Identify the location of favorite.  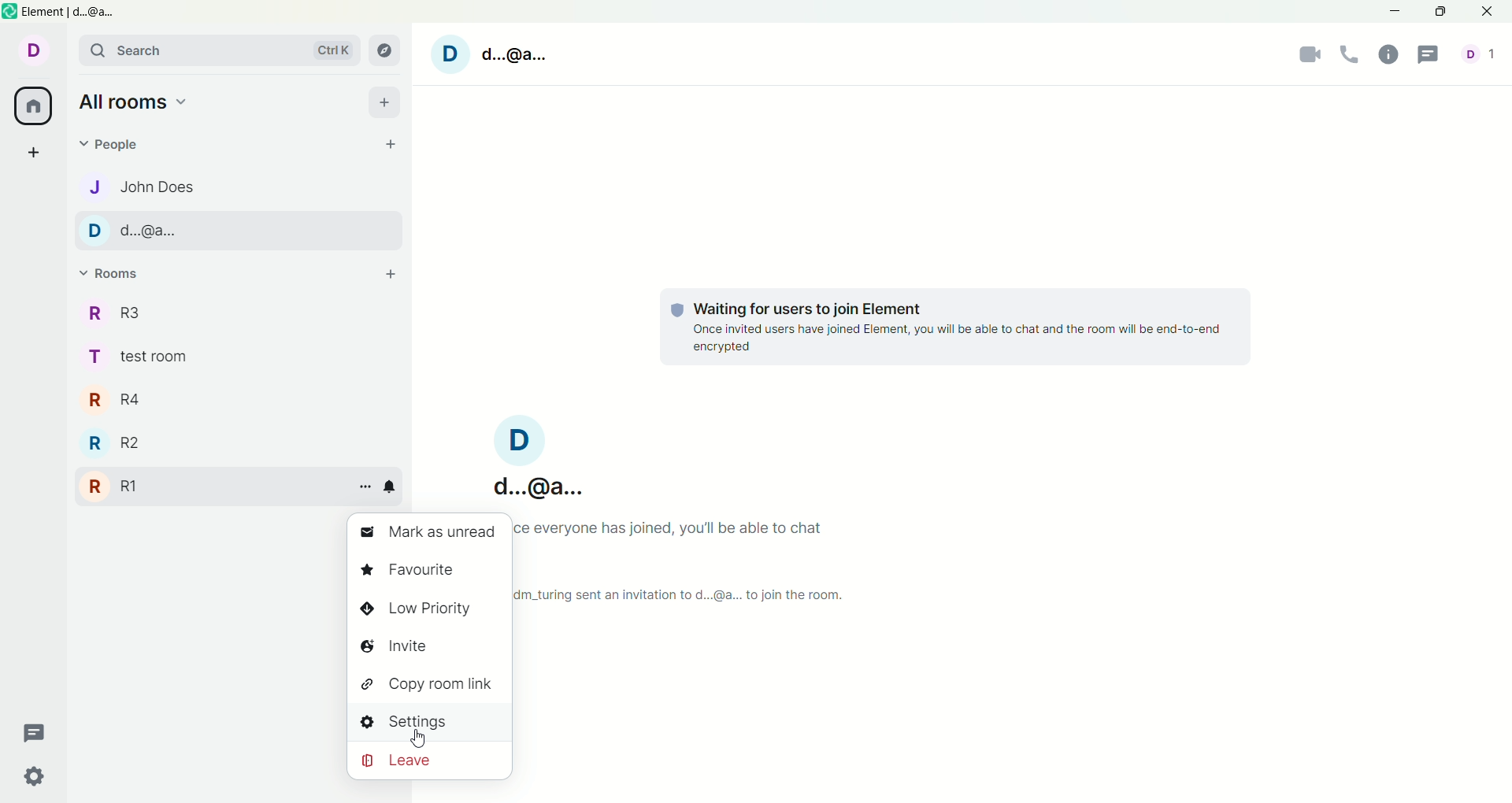
(420, 572).